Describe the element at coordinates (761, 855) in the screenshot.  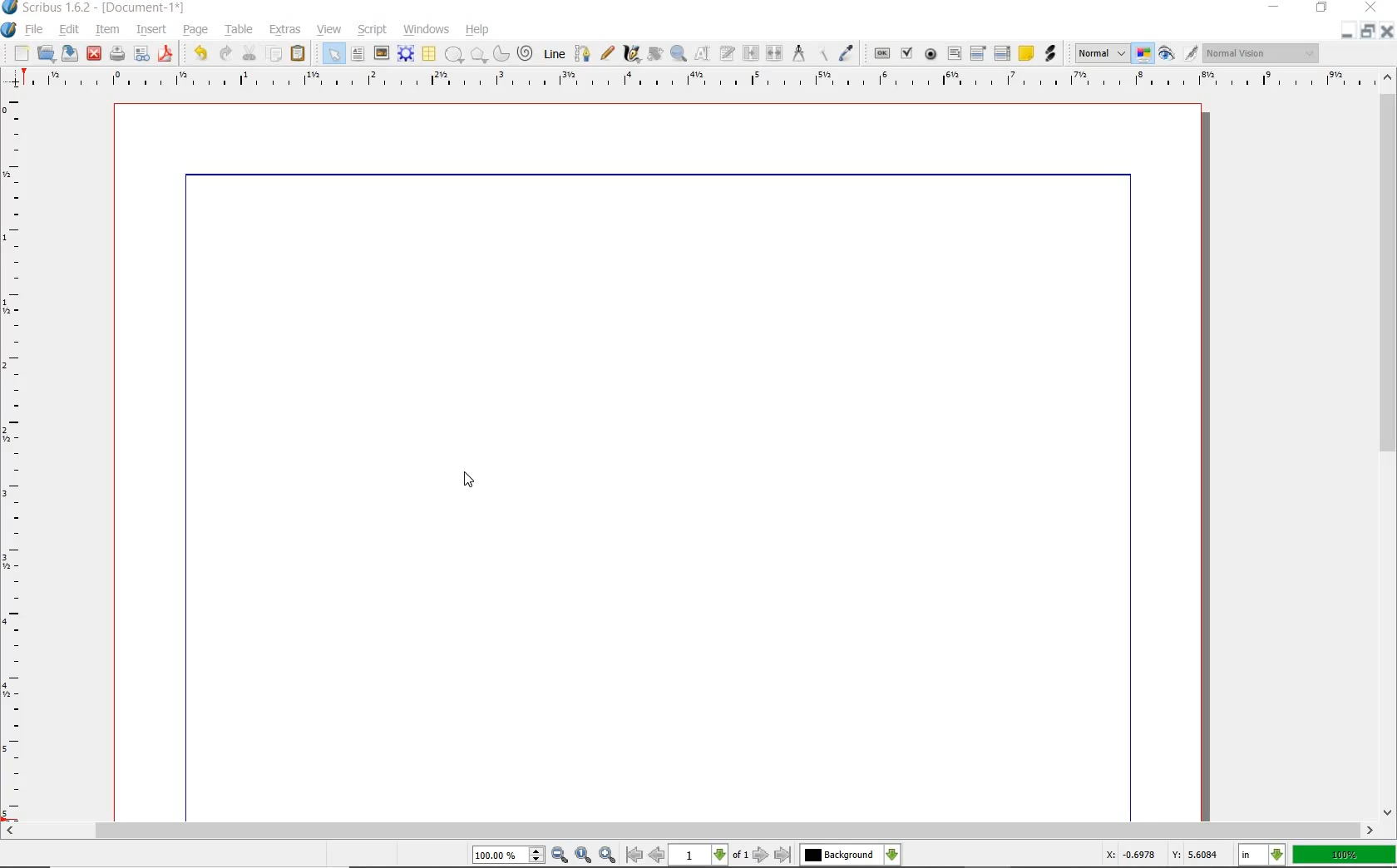
I see `next` at that location.